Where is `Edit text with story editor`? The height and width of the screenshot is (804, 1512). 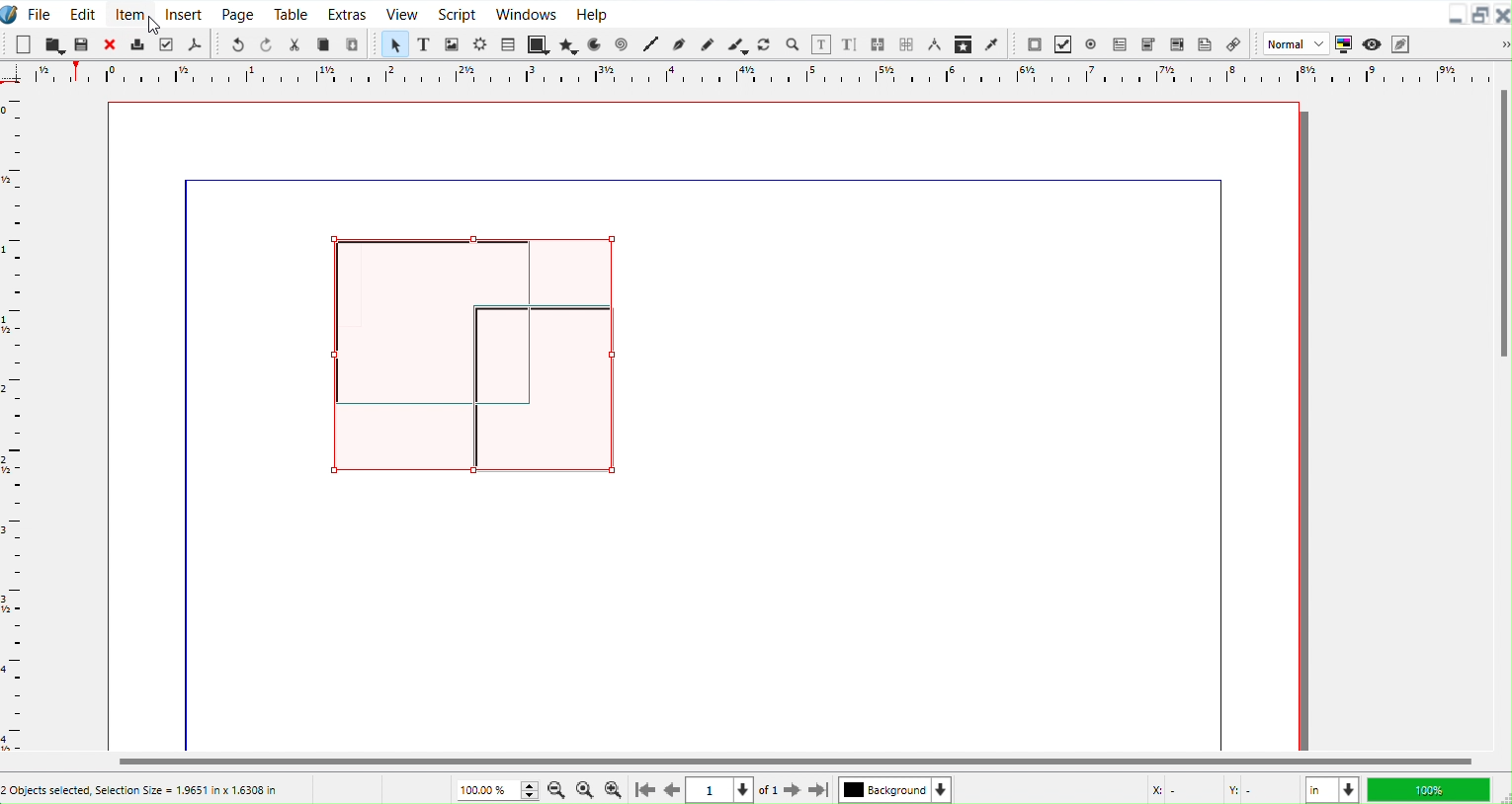 Edit text with story editor is located at coordinates (851, 44).